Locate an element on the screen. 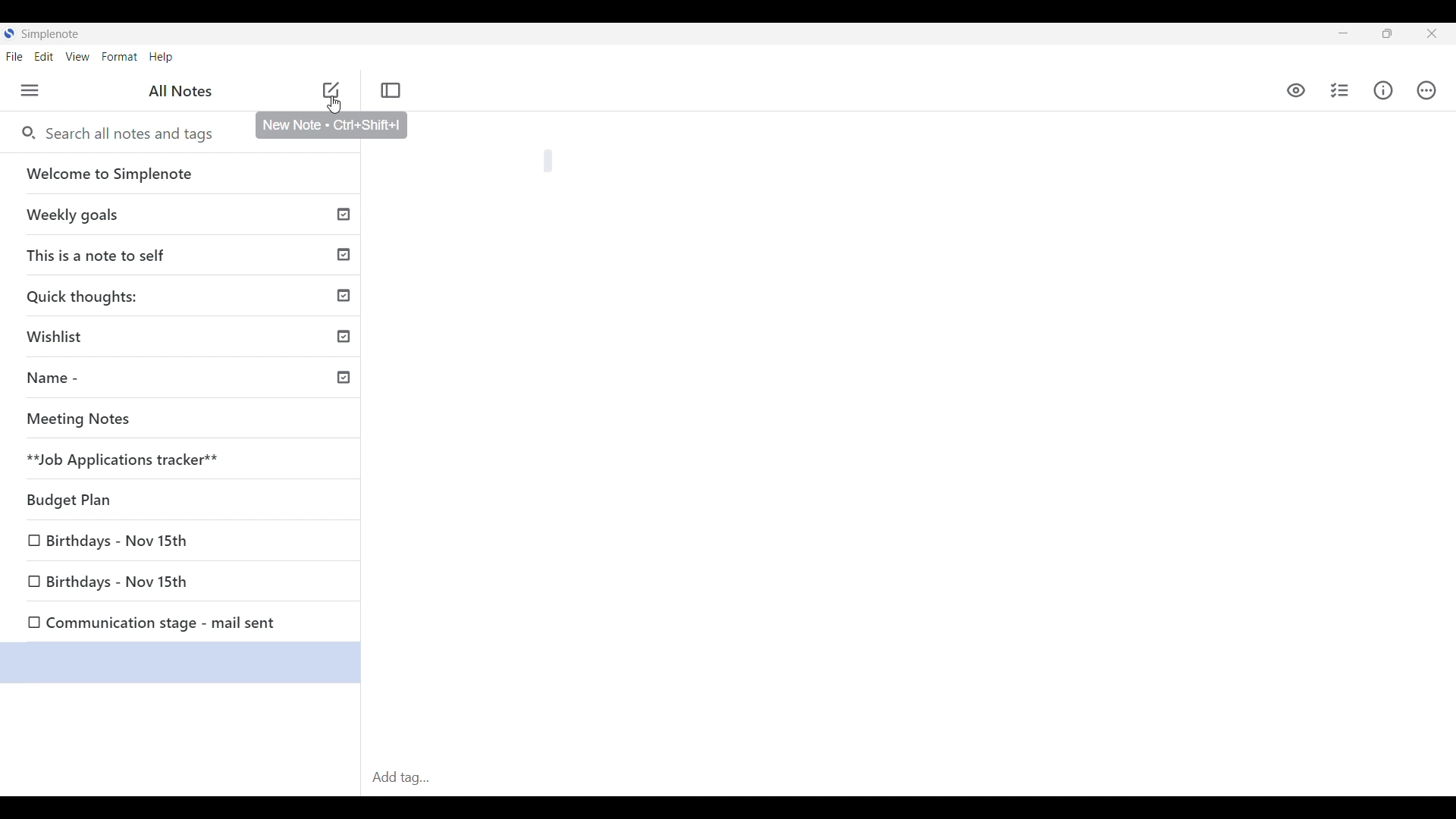  Weekly goals is located at coordinates (187, 216).